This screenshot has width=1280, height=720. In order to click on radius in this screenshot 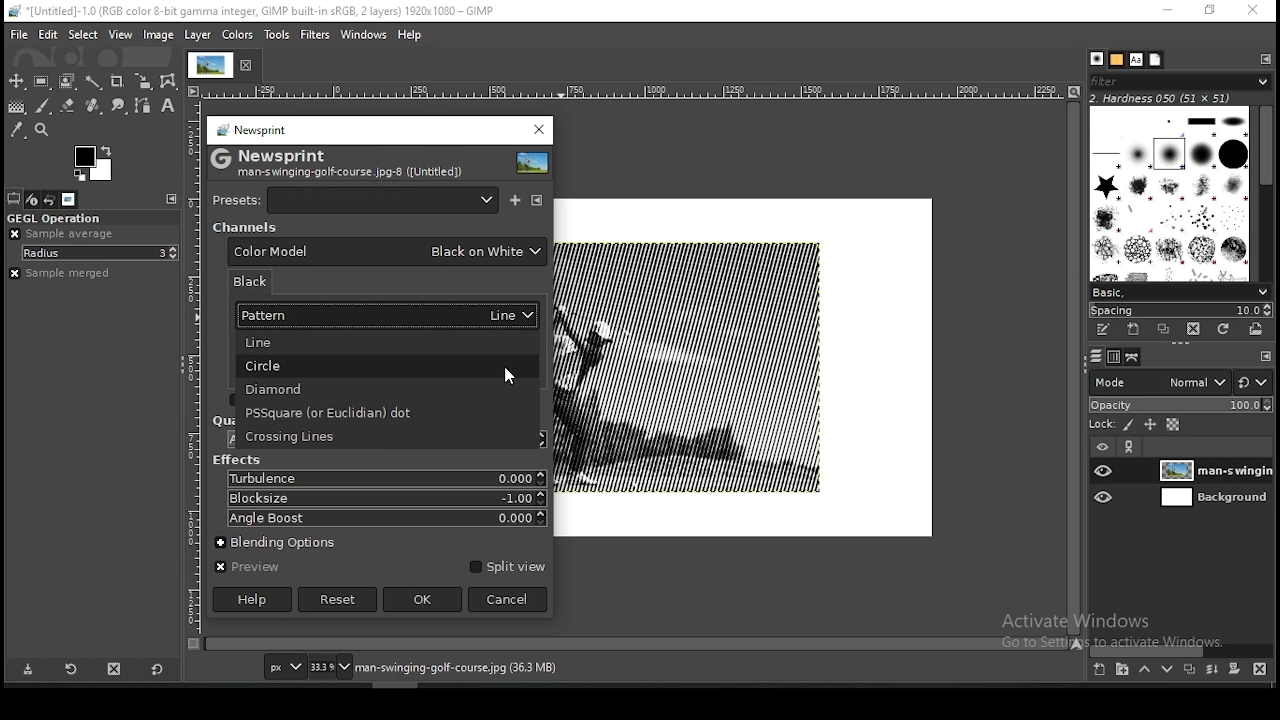, I will do `click(99, 253)`.